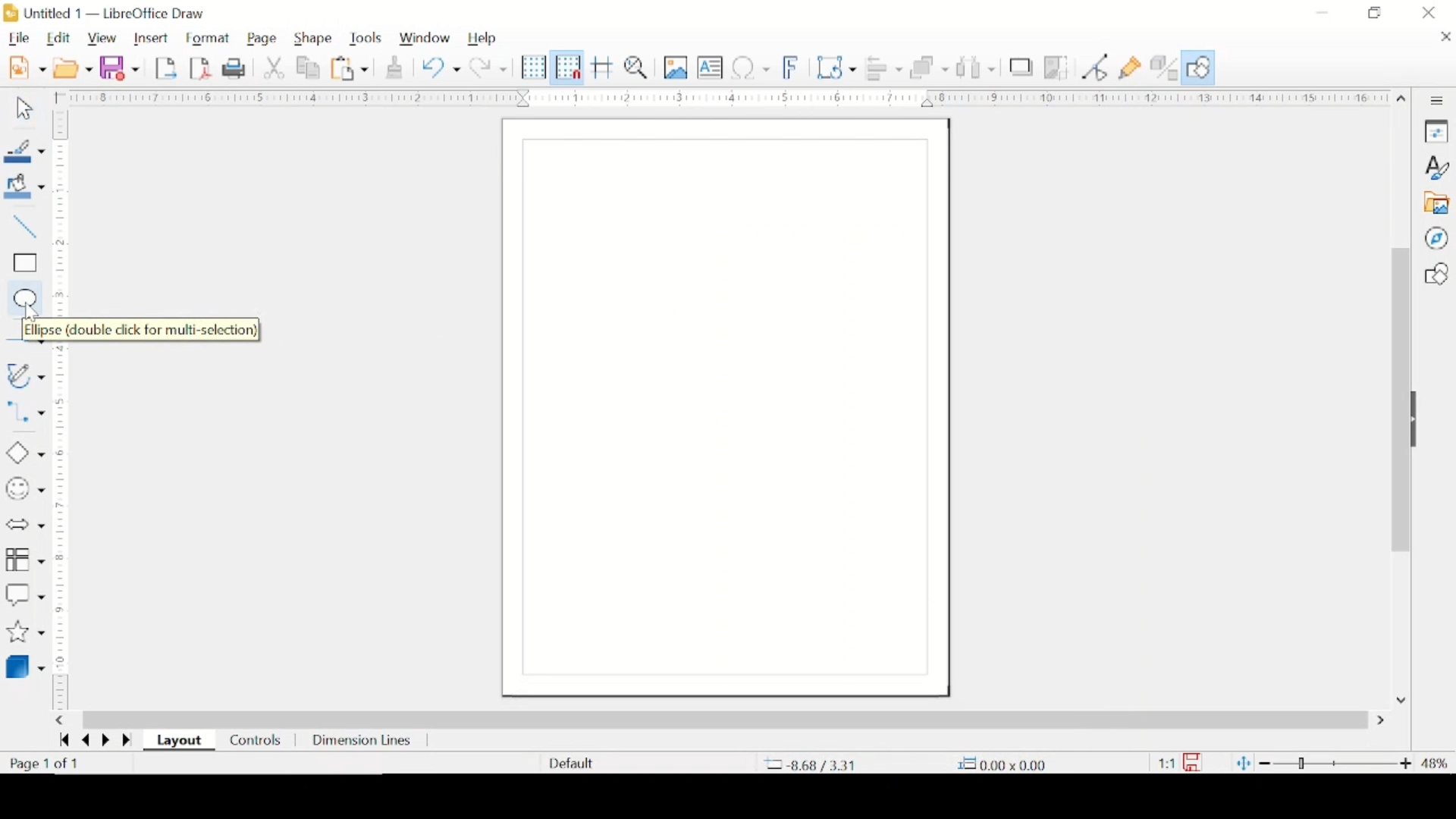 This screenshot has height=819, width=1456. I want to click on scroll right arrow, so click(1381, 720).